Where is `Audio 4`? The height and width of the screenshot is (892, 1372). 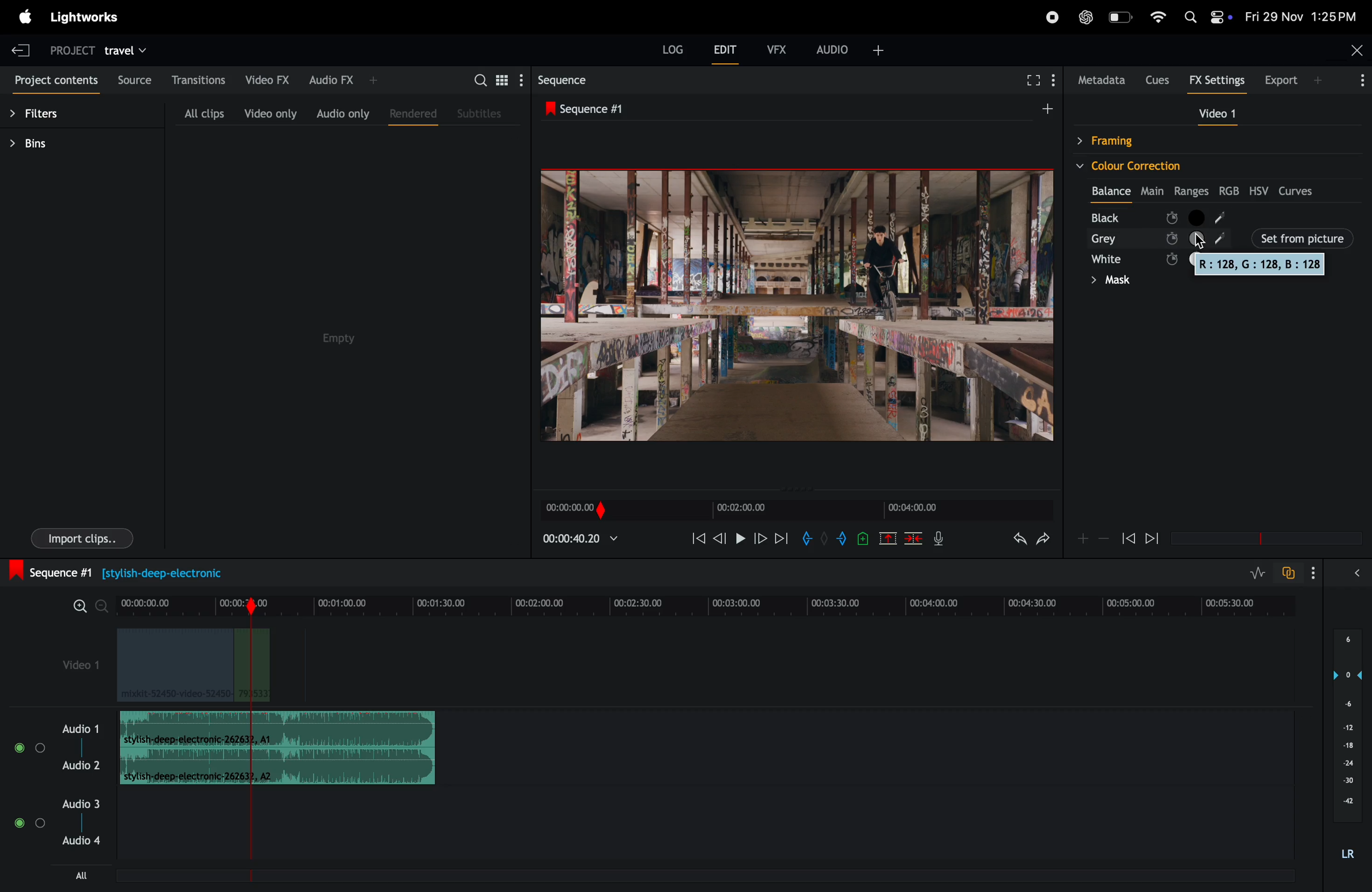 Audio 4 is located at coordinates (83, 842).